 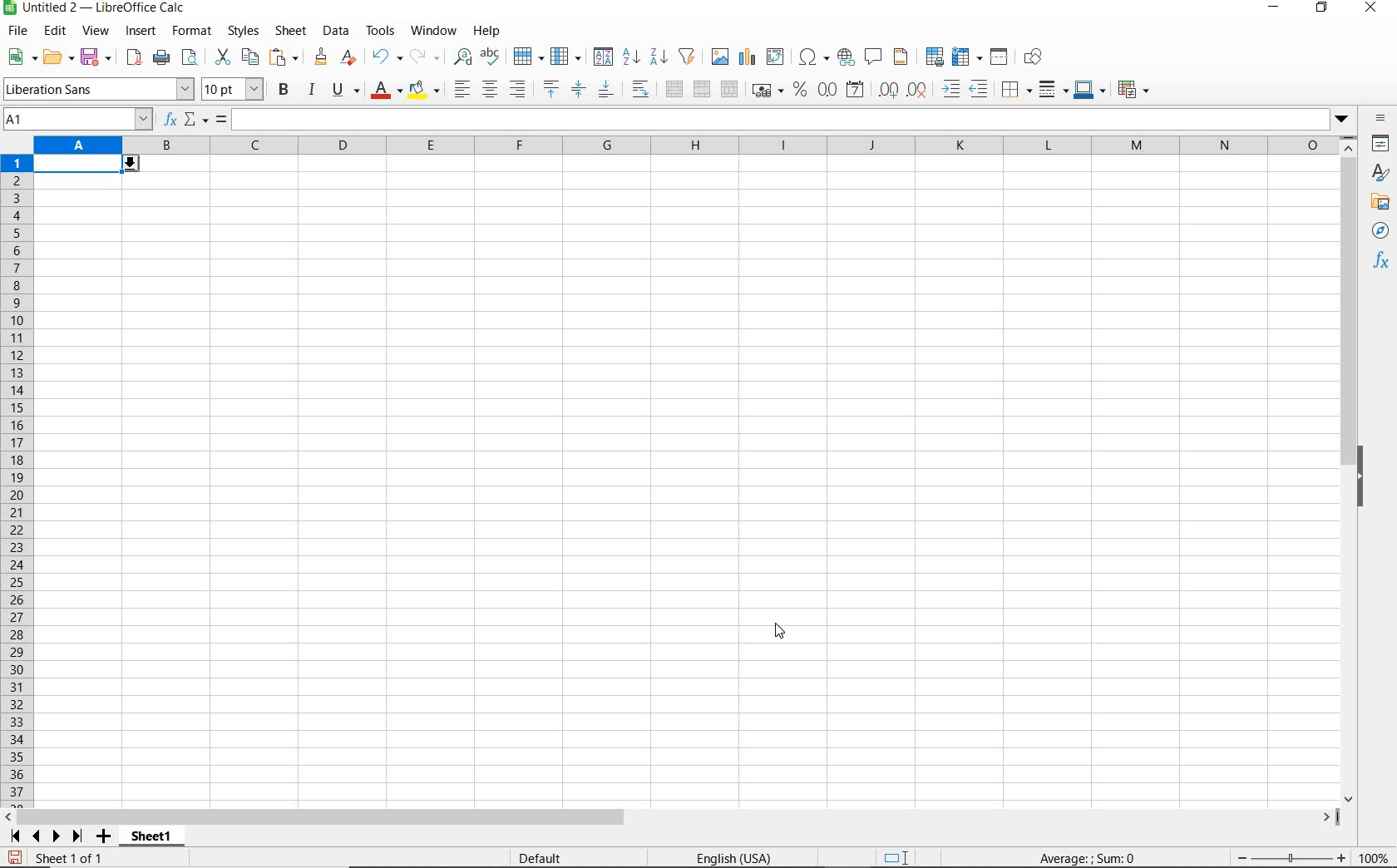 What do you see at coordinates (322, 57) in the screenshot?
I see `clone formatting` at bounding box center [322, 57].